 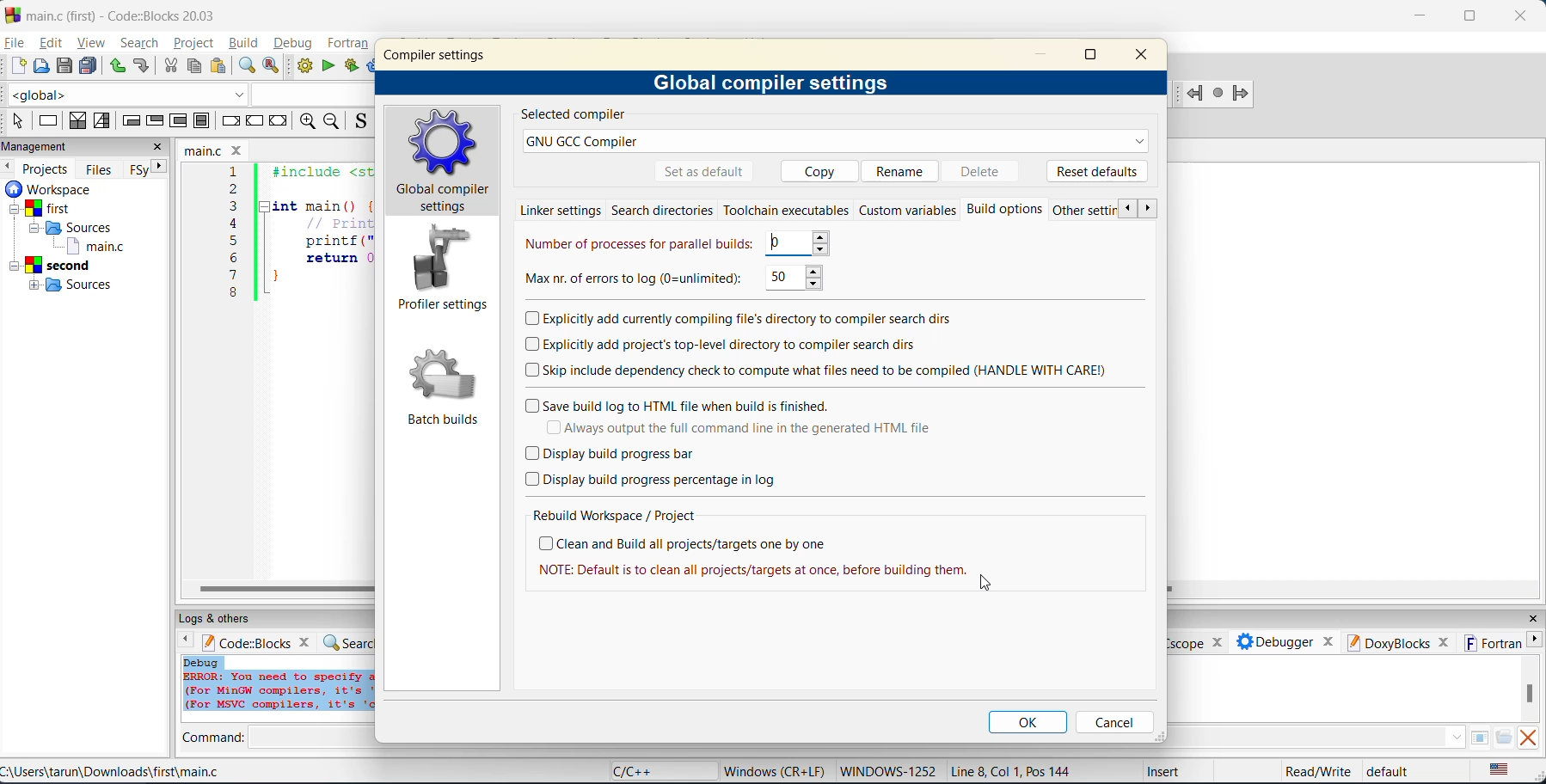 What do you see at coordinates (684, 403) in the screenshot?
I see `save build log to HTML file when build is finished` at bounding box center [684, 403].